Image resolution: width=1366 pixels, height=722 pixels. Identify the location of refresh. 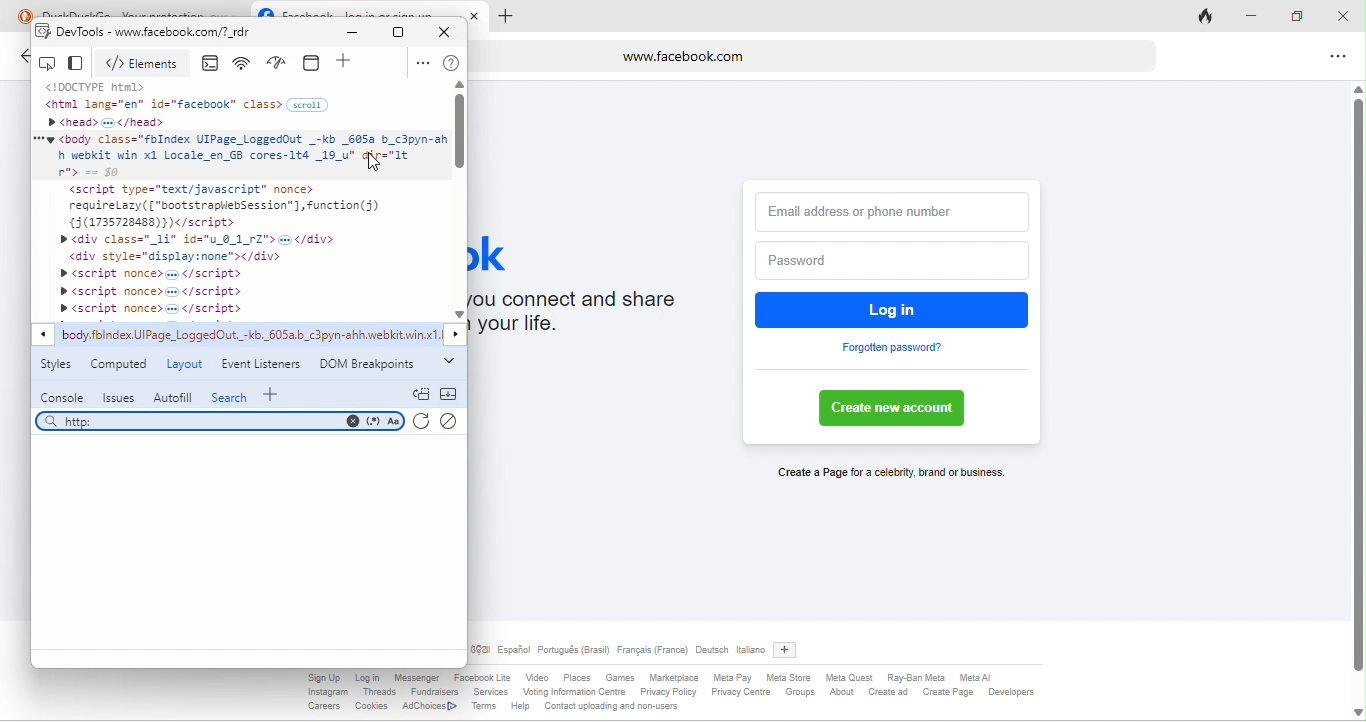
(422, 424).